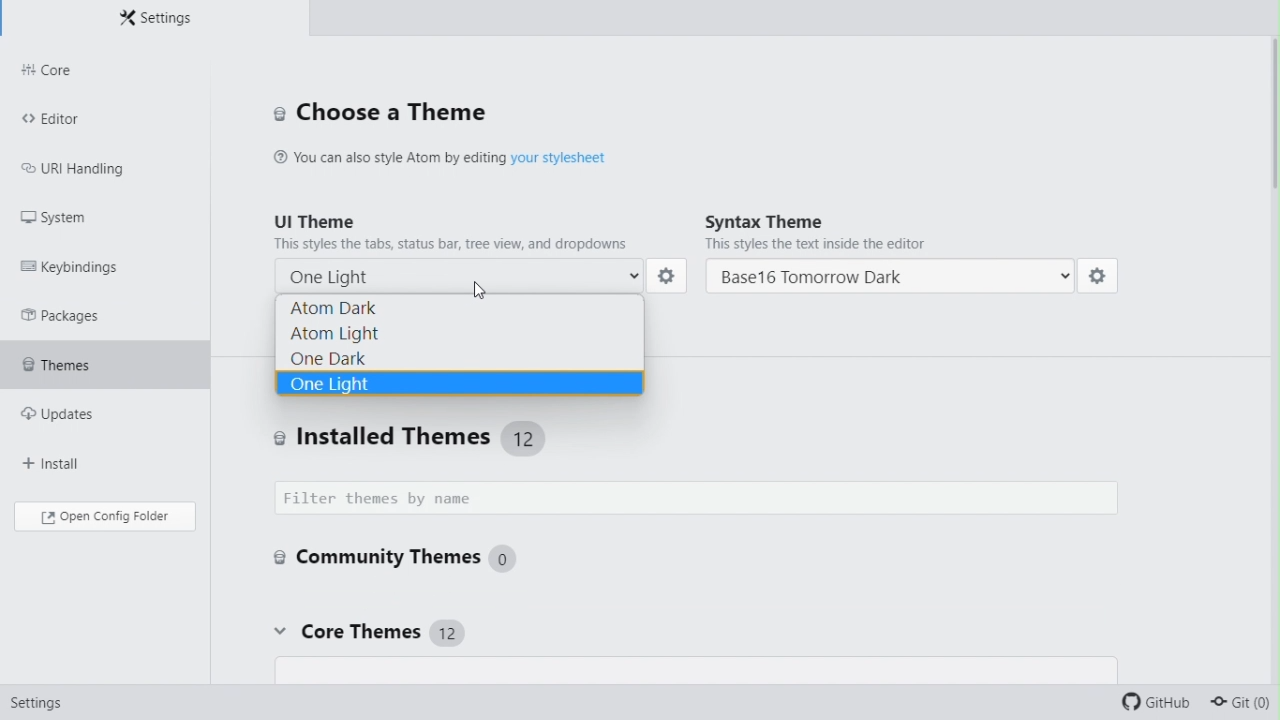 This screenshot has height=720, width=1280. Describe the element at coordinates (1099, 280) in the screenshot. I see `settings` at that location.